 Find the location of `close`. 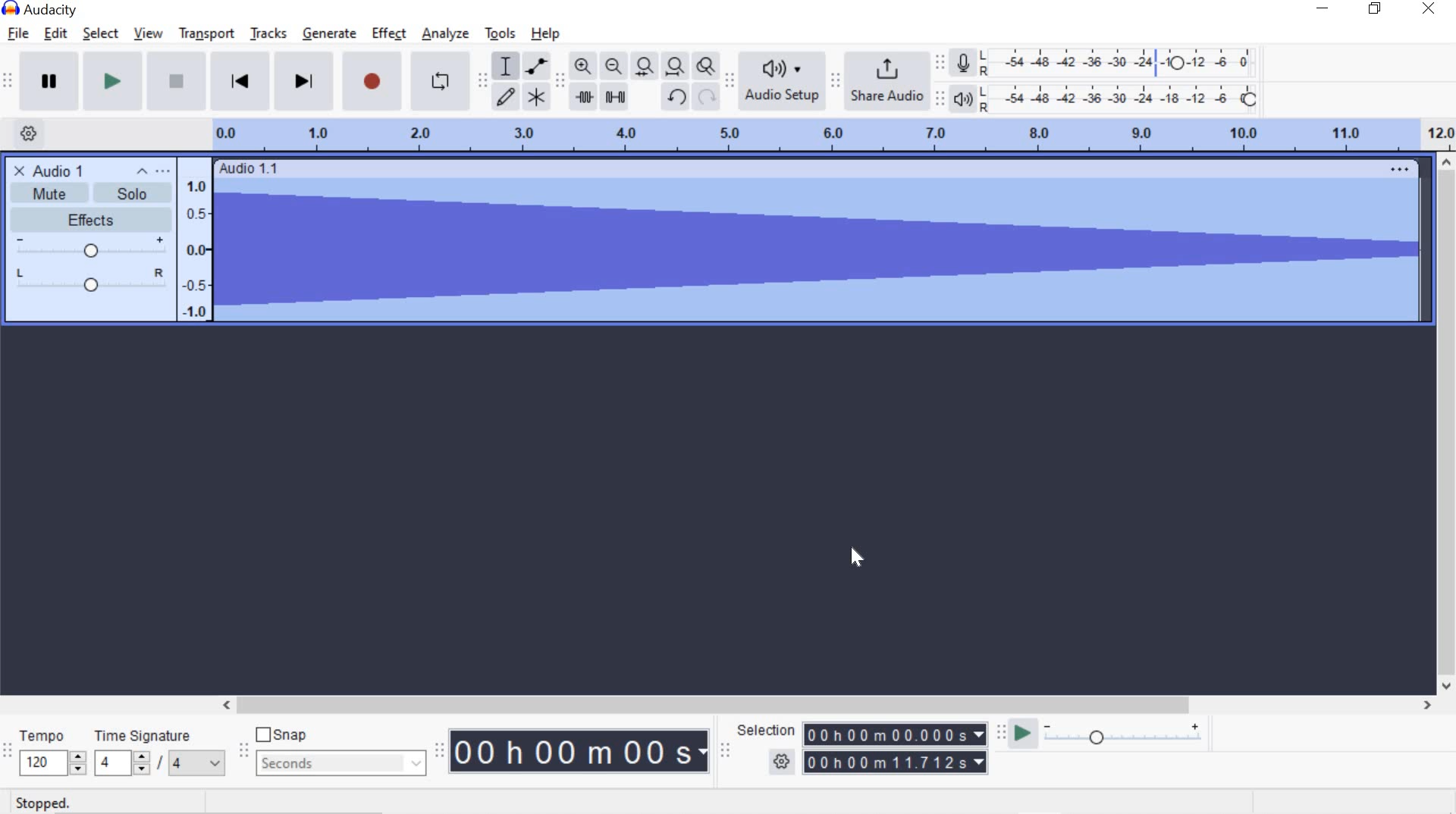

close is located at coordinates (1429, 8).